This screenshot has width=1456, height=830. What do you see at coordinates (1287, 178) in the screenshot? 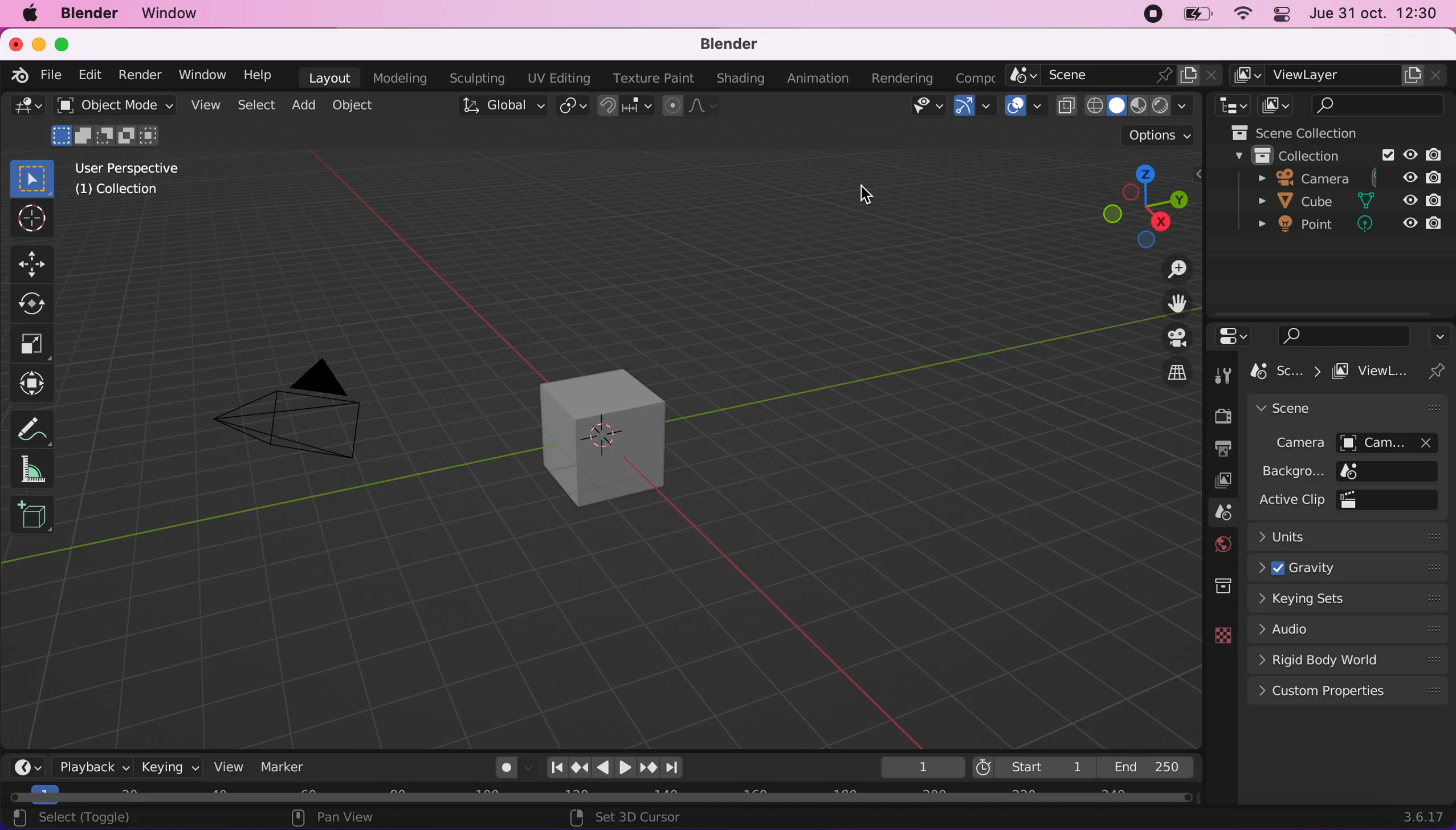
I see `camera` at bounding box center [1287, 178].